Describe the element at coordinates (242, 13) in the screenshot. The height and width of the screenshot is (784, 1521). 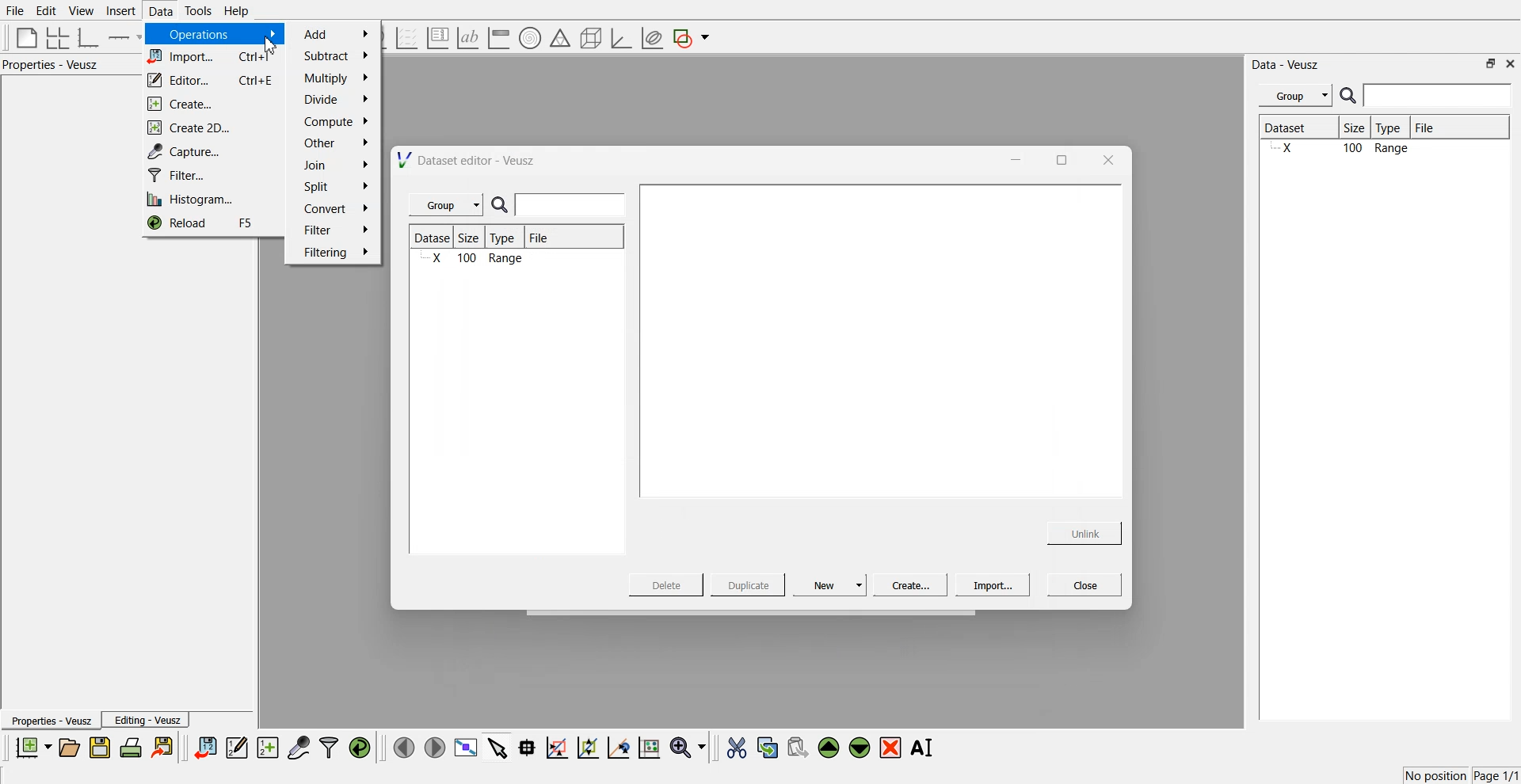
I see `Help` at that location.